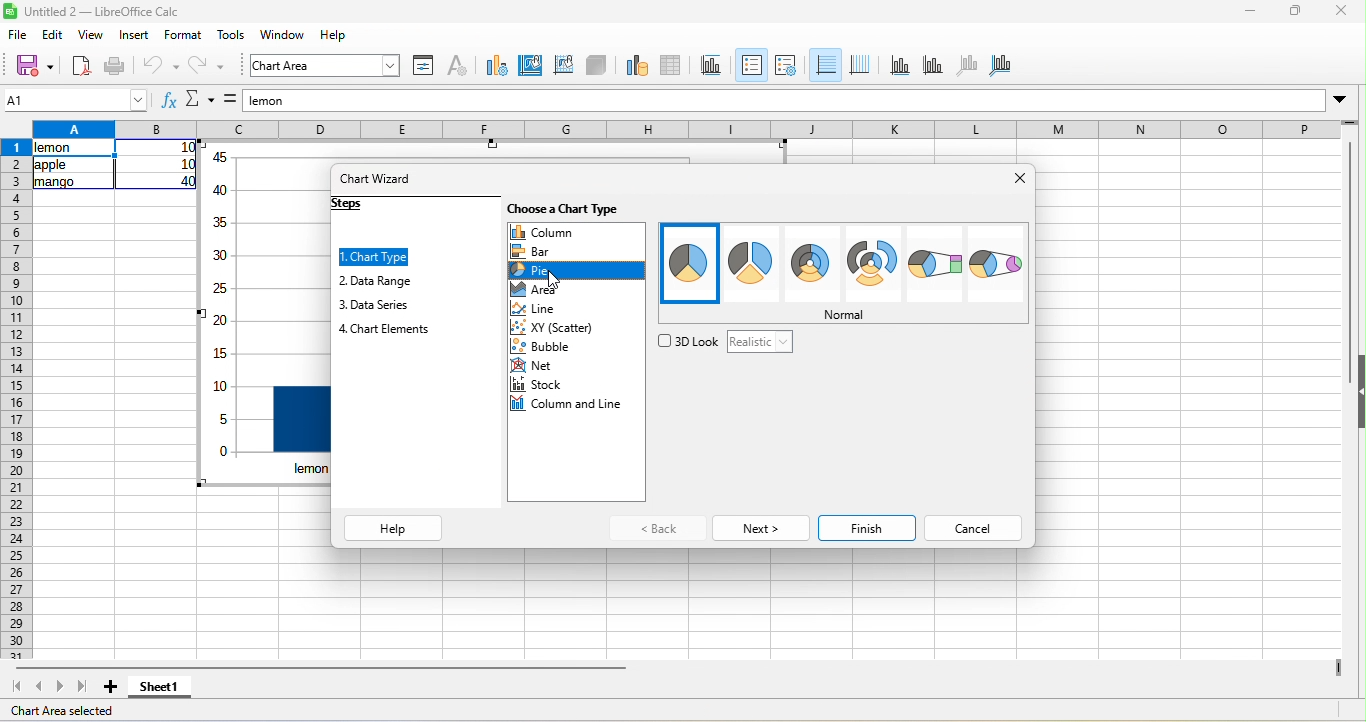 This screenshot has width=1366, height=722. Describe the element at coordinates (53, 185) in the screenshot. I see `mango` at that location.